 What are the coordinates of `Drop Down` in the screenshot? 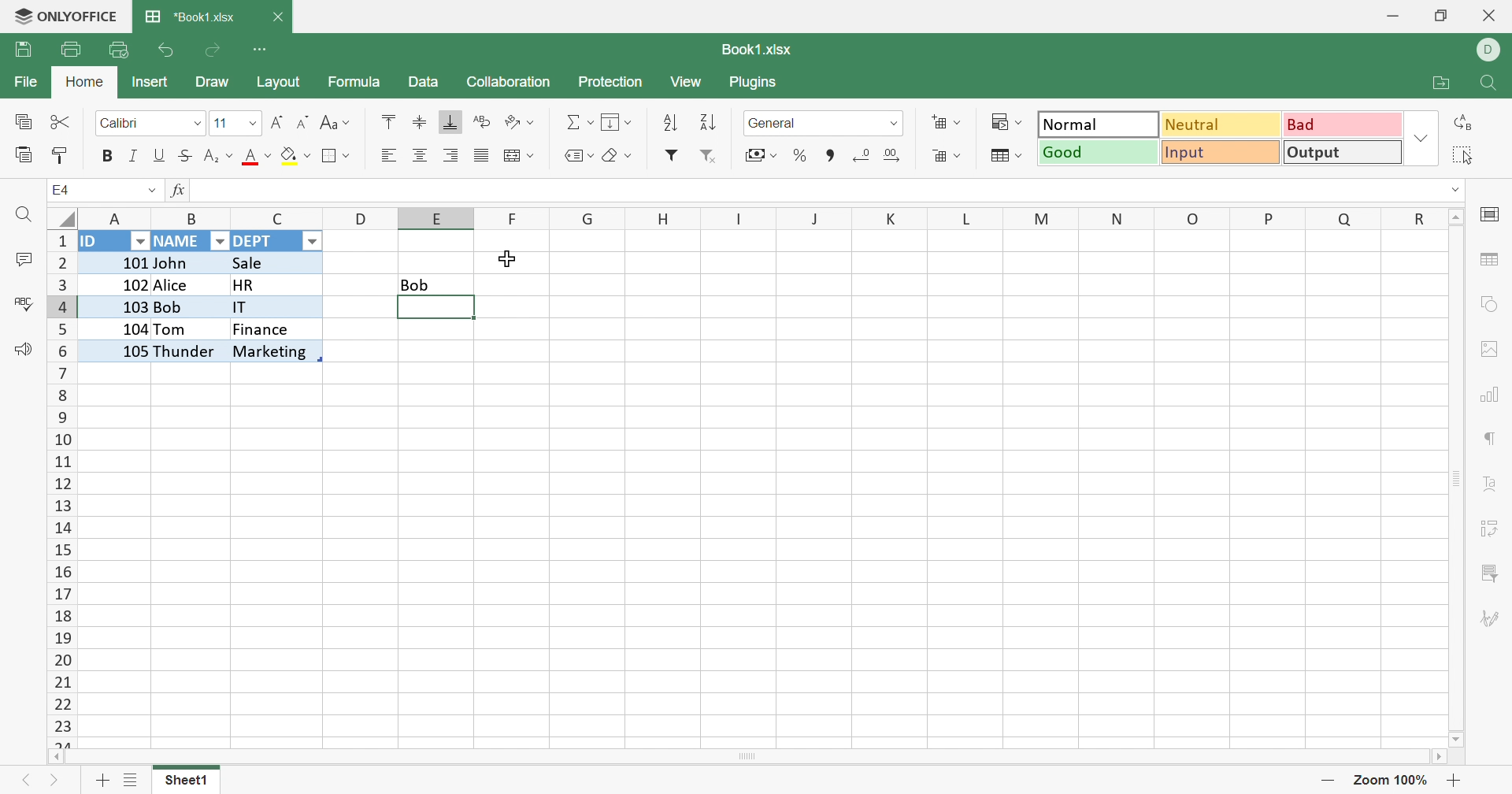 It's located at (197, 121).